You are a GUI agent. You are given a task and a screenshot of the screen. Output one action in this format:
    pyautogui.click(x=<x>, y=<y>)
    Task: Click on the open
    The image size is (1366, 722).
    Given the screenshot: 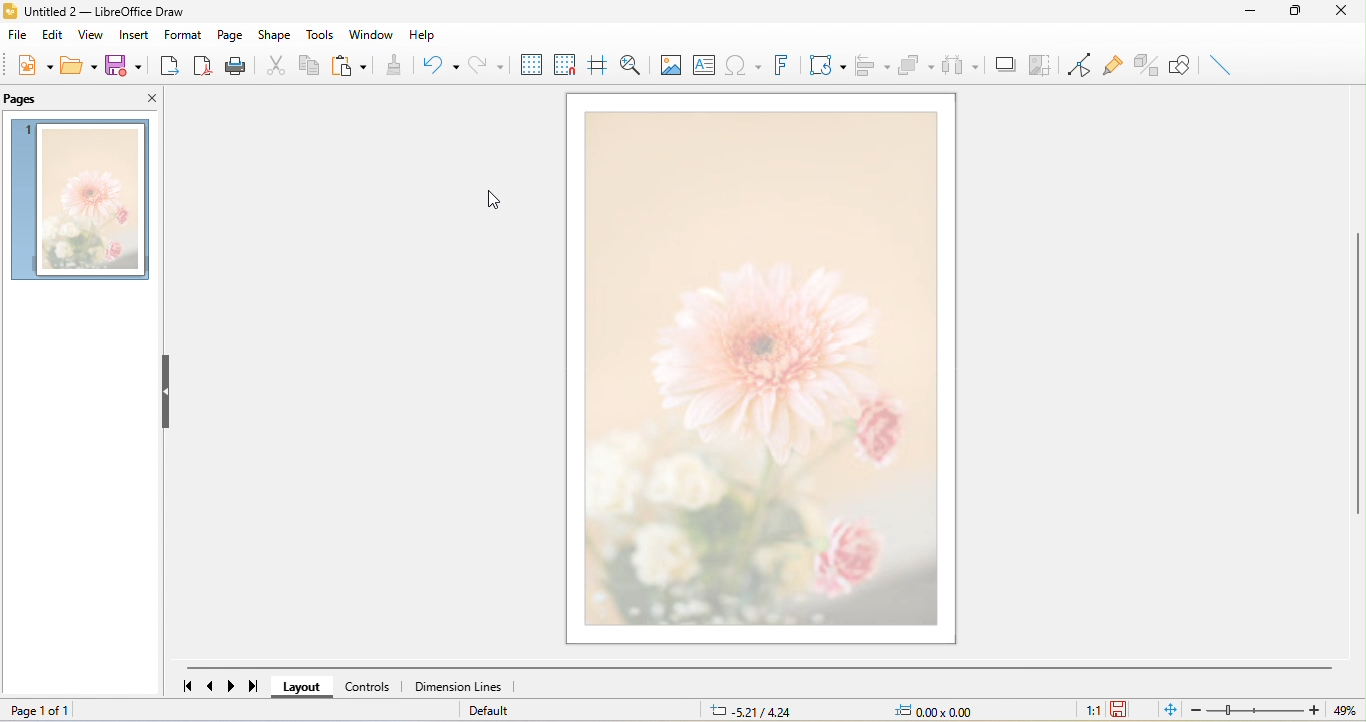 What is the action you would take?
    pyautogui.click(x=77, y=62)
    